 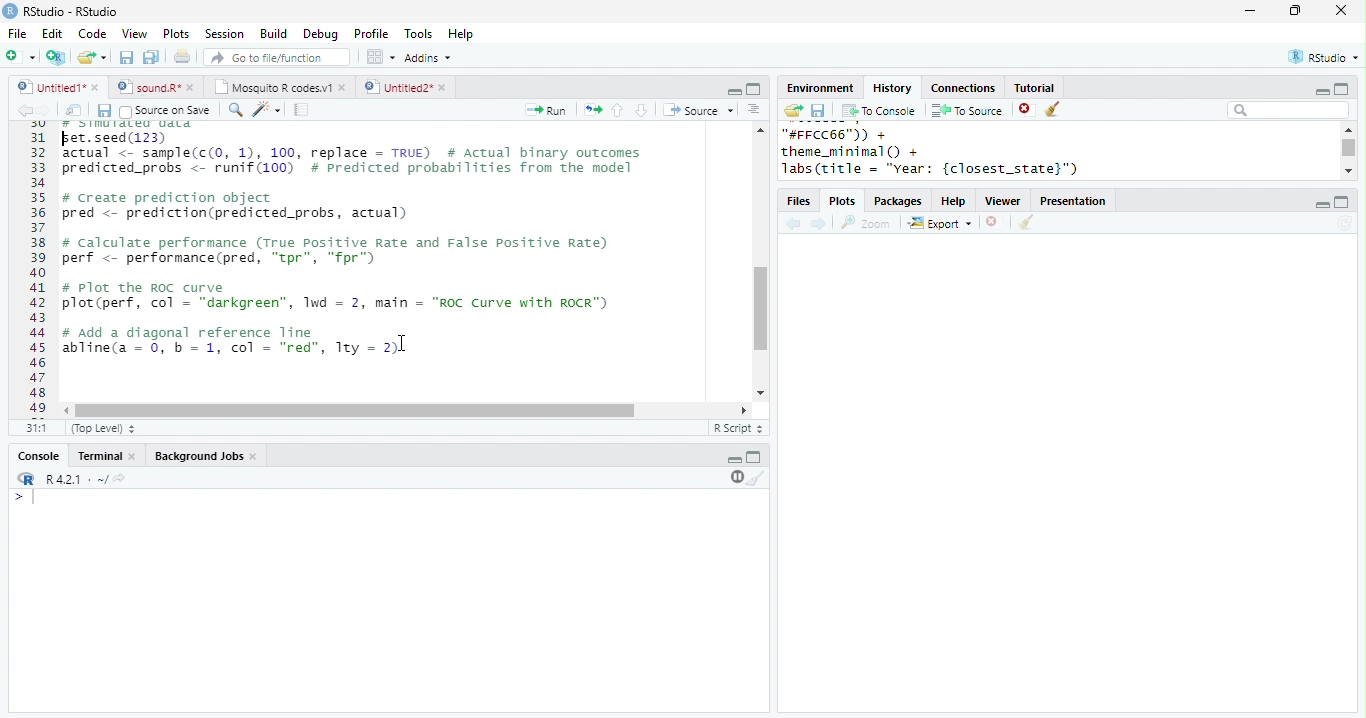 I want to click on back, so click(x=793, y=225).